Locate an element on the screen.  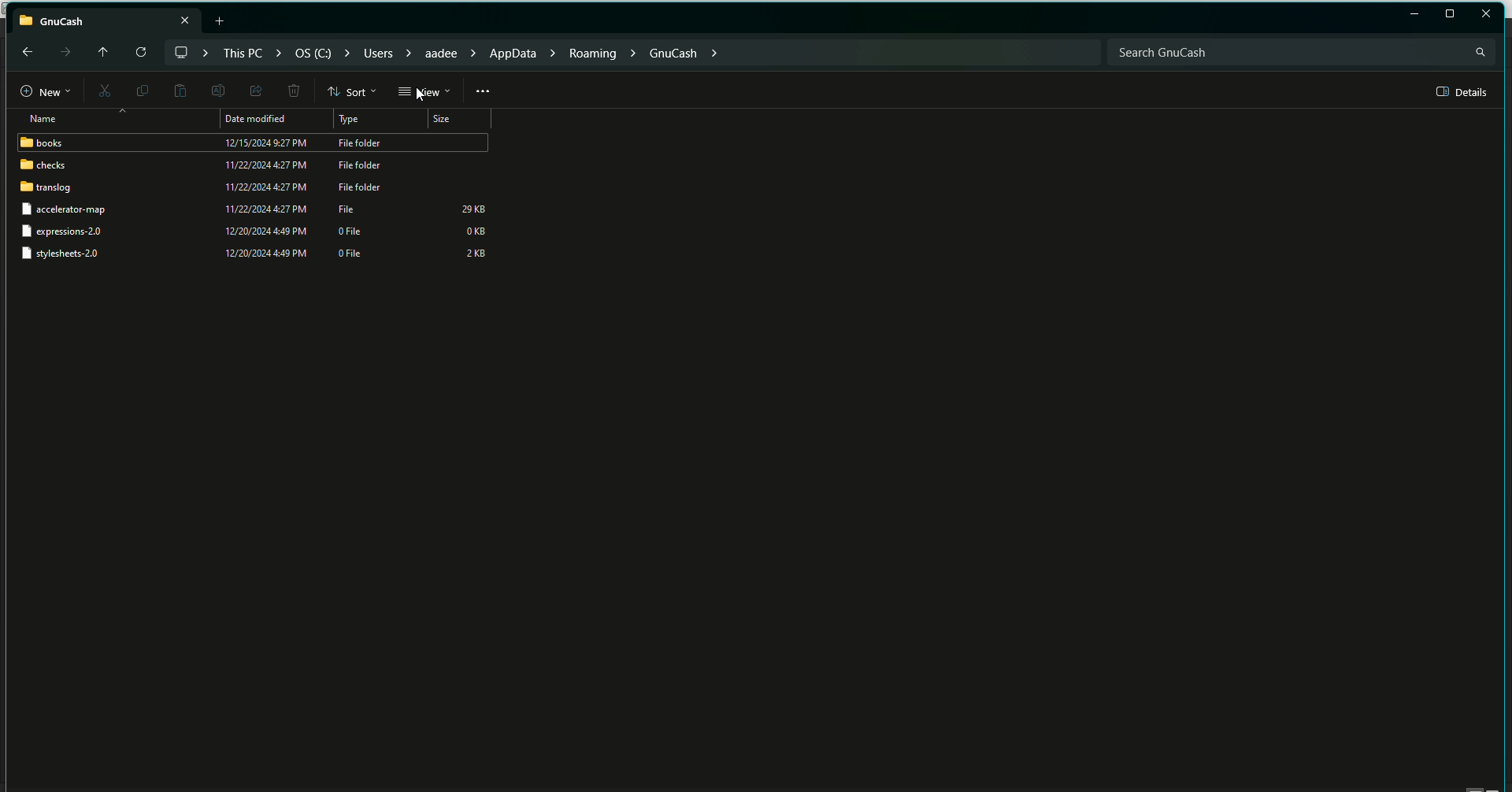
This PC is located at coordinates (106, 18).